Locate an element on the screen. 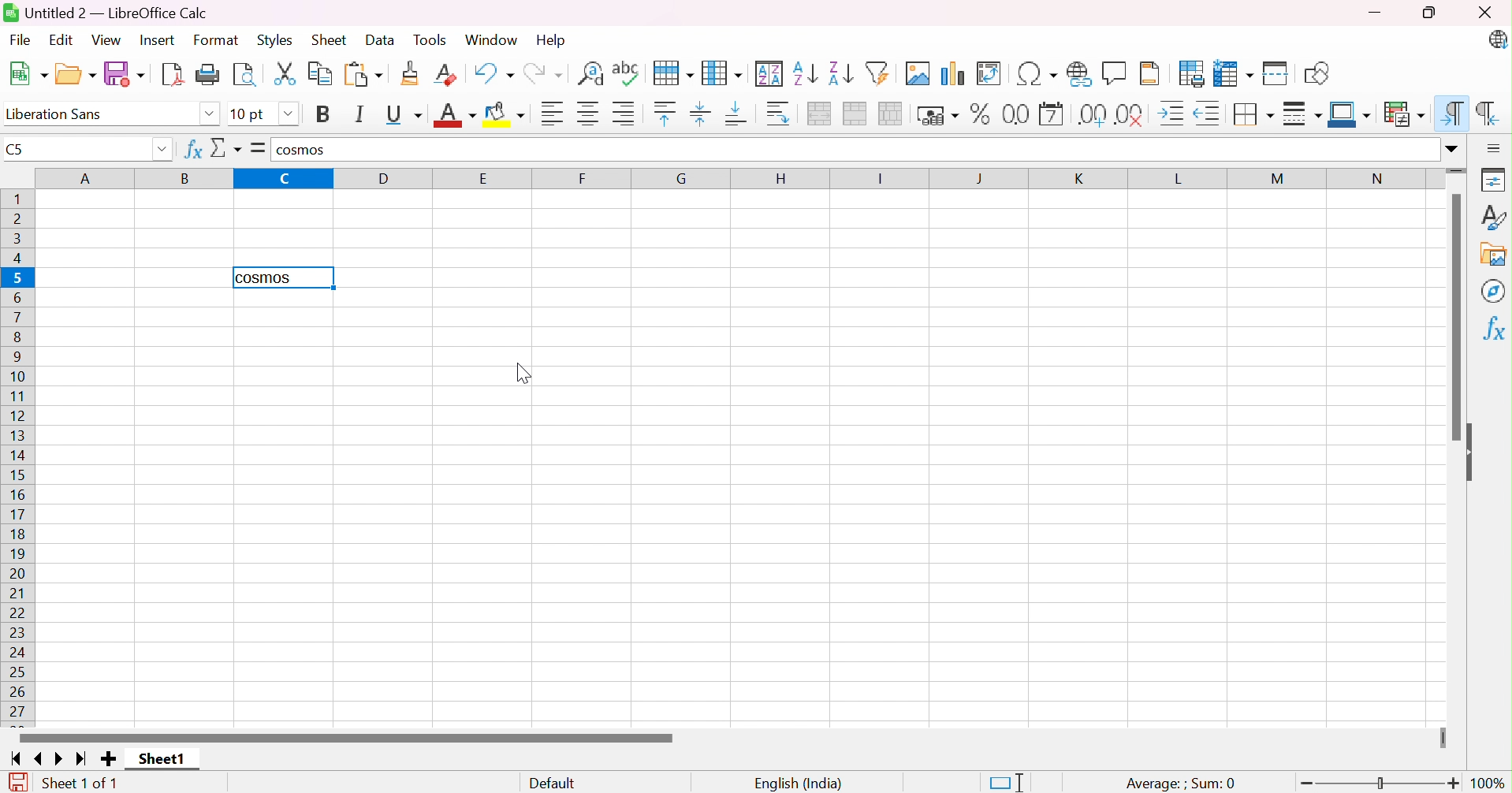 The height and width of the screenshot is (793, 1512). Align Center is located at coordinates (589, 113).